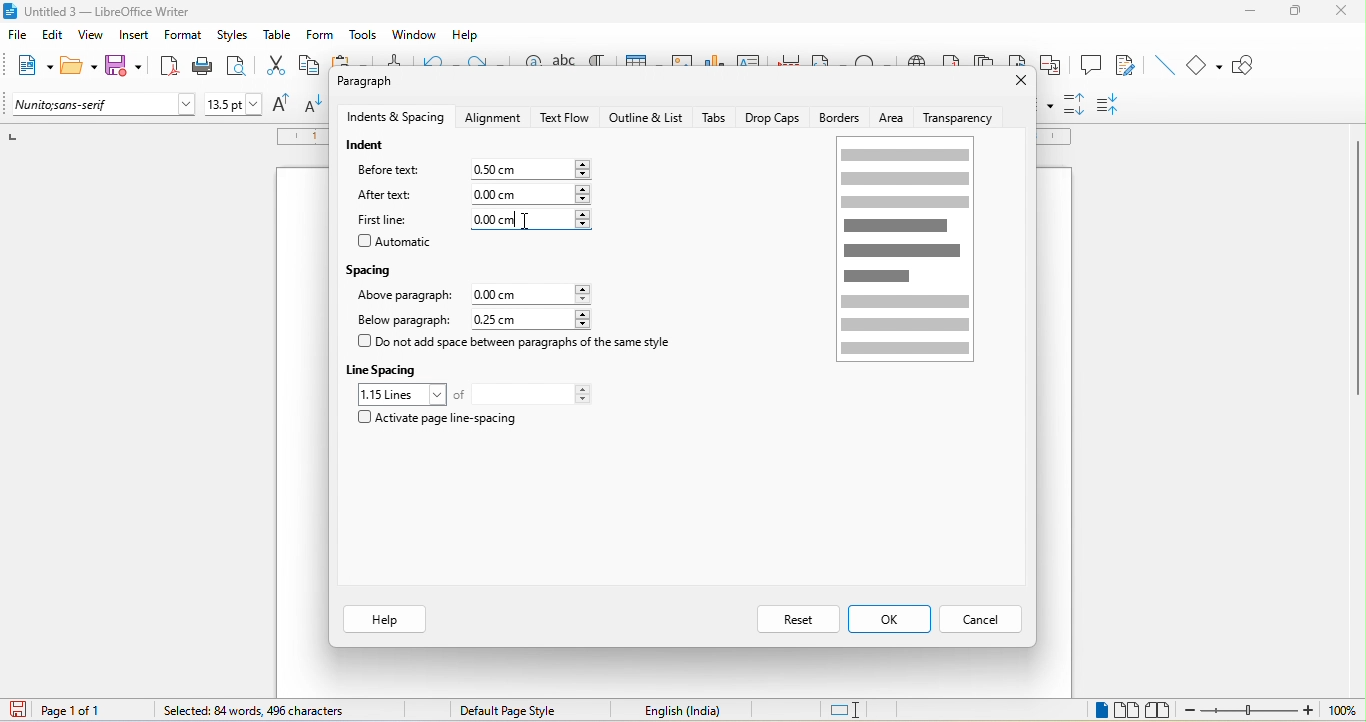 The height and width of the screenshot is (722, 1366). Describe the element at coordinates (710, 710) in the screenshot. I see `text language` at that location.